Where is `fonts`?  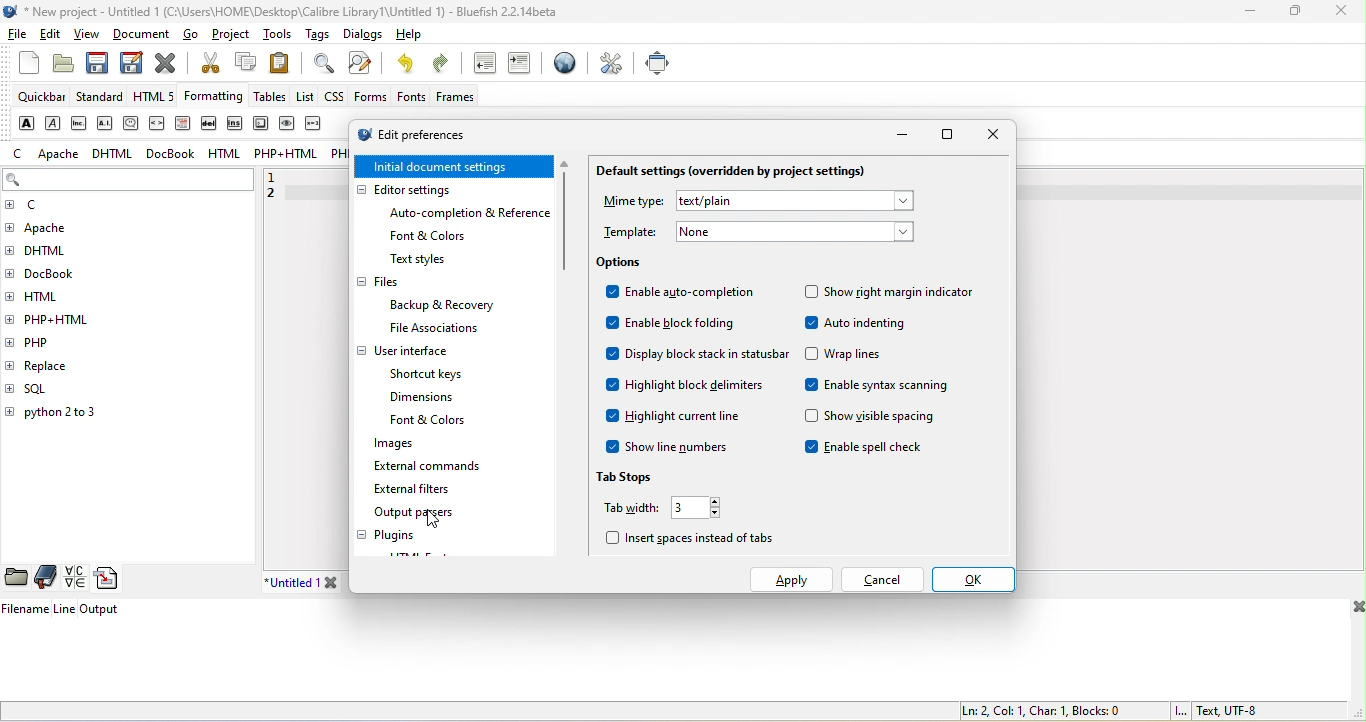 fonts is located at coordinates (408, 97).